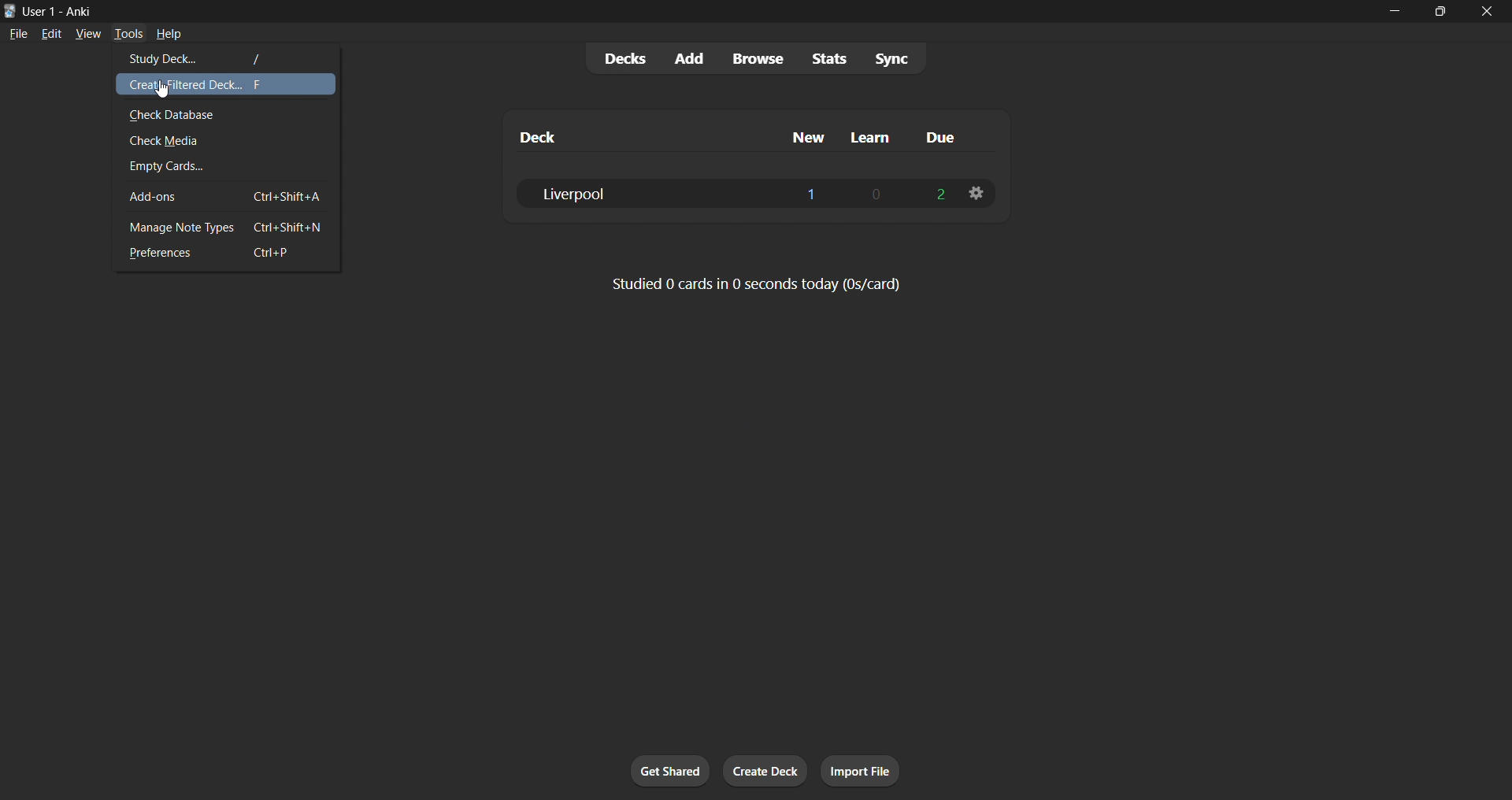 The image size is (1512, 800). I want to click on 1, so click(813, 194).